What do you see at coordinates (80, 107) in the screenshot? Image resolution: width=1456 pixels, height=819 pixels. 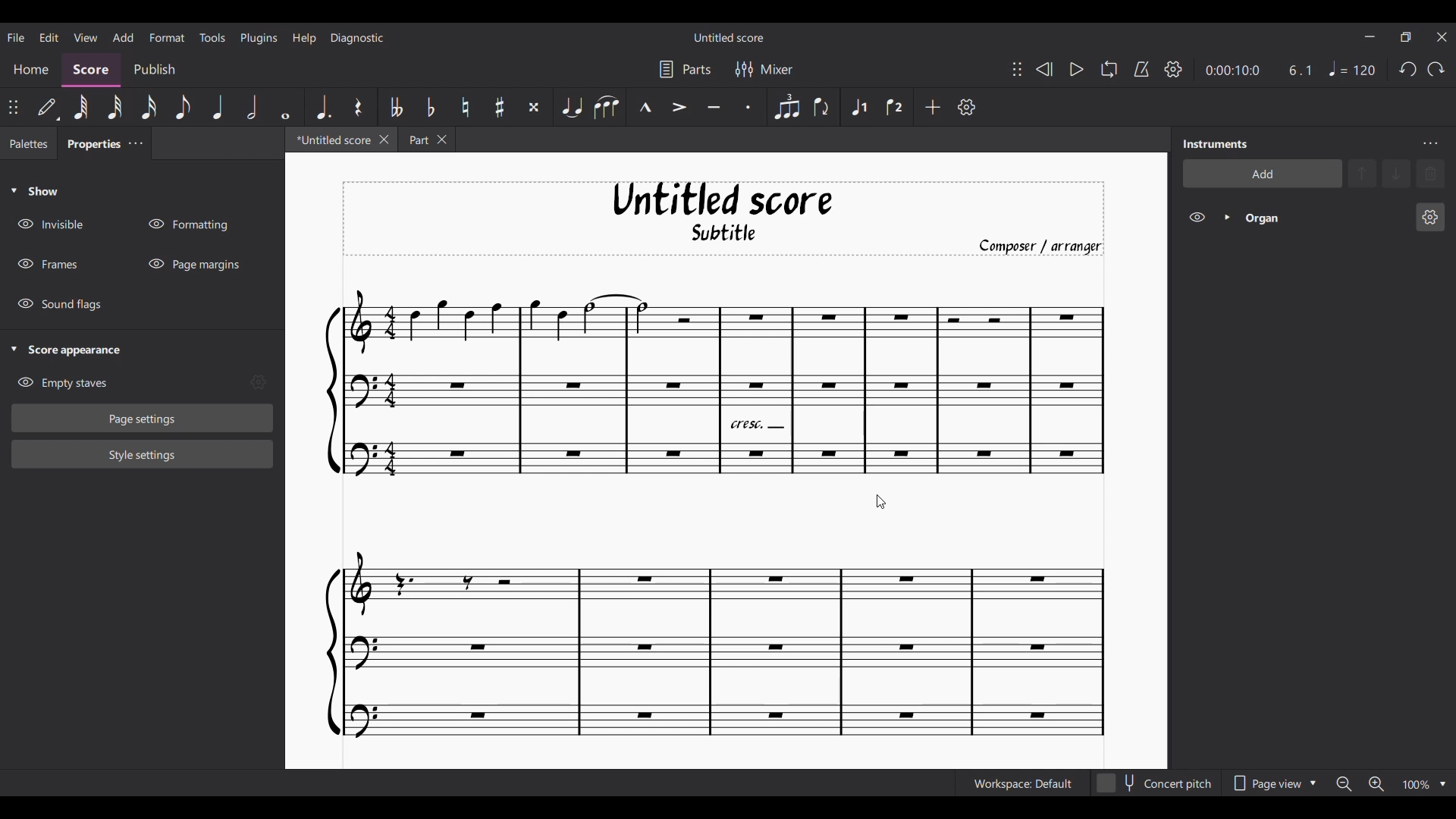 I see `64th note` at bounding box center [80, 107].